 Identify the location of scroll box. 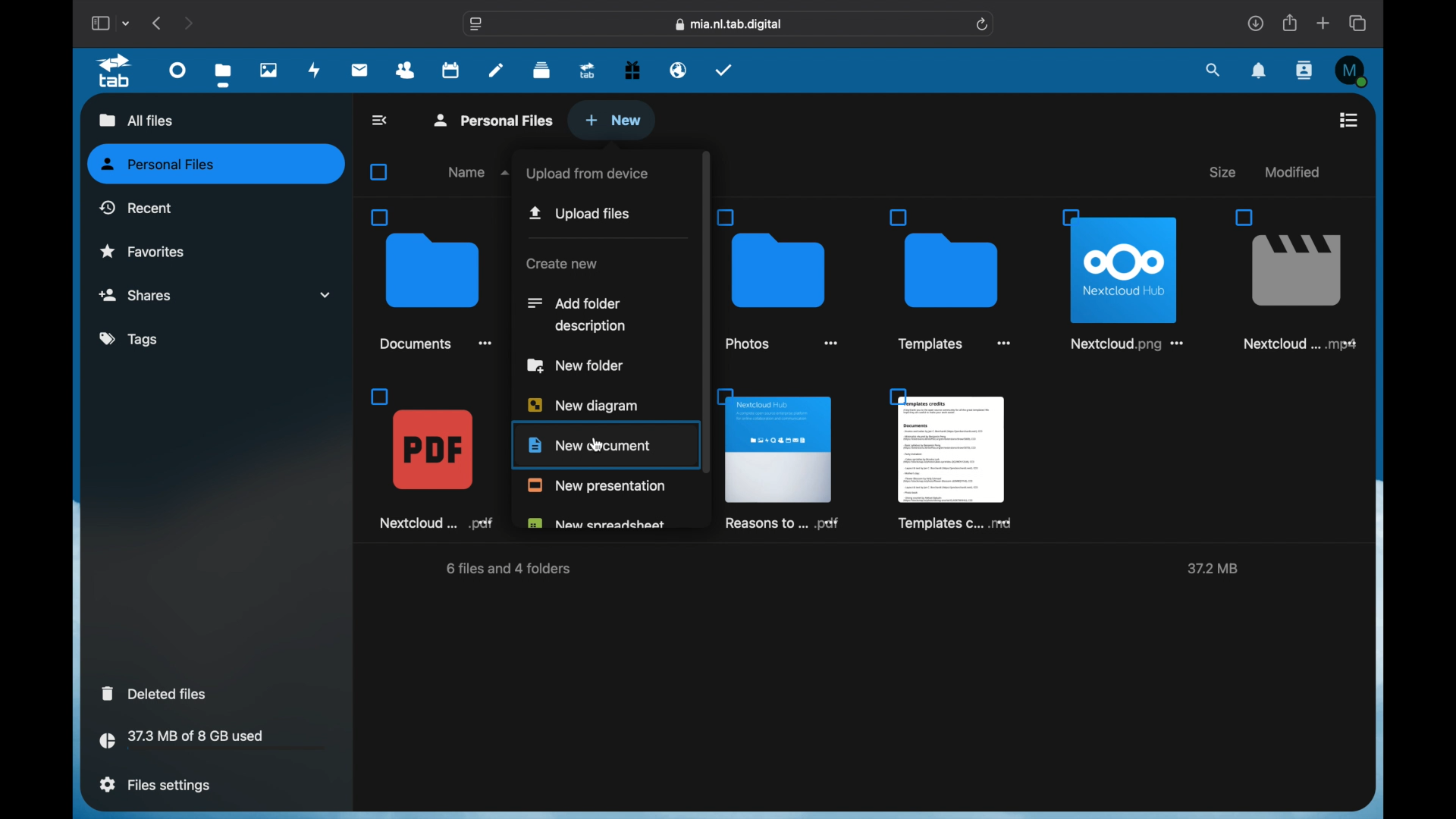
(704, 312).